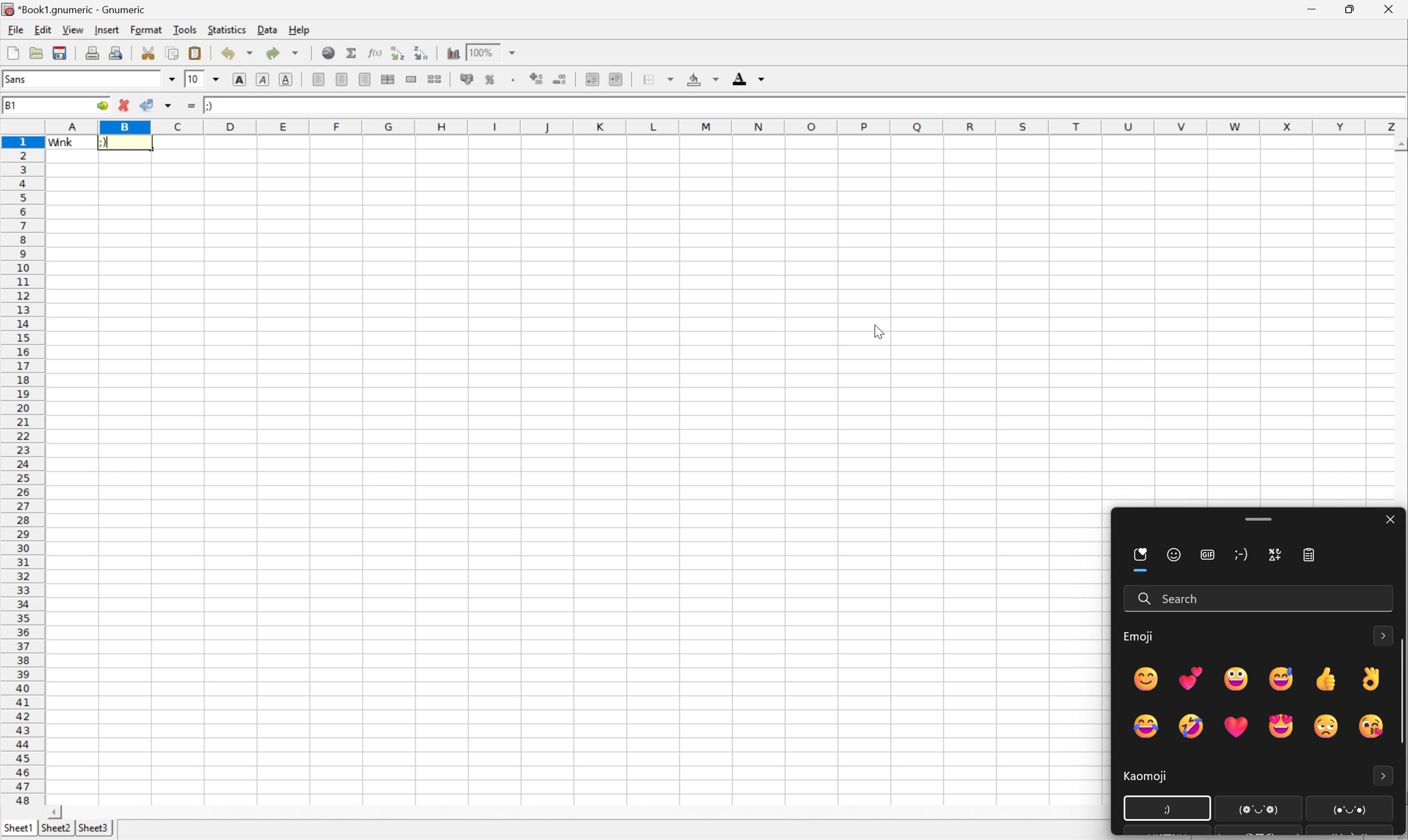 The width and height of the screenshot is (1408, 840). Describe the element at coordinates (93, 828) in the screenshot. I see `sheet3` at that location.